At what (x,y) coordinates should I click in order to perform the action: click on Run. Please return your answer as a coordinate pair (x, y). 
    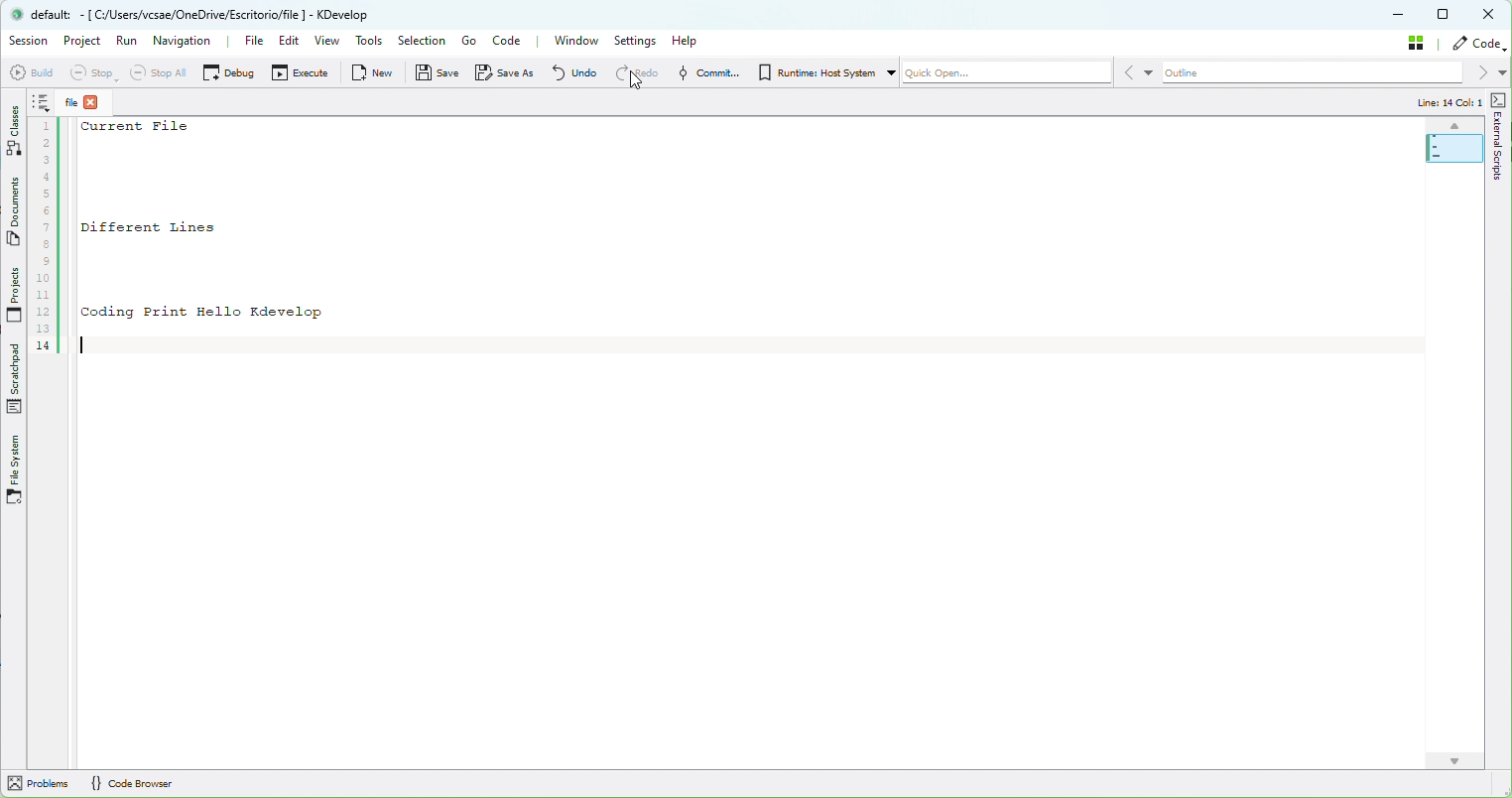
    Looking at the image, I should click on (123, 41).